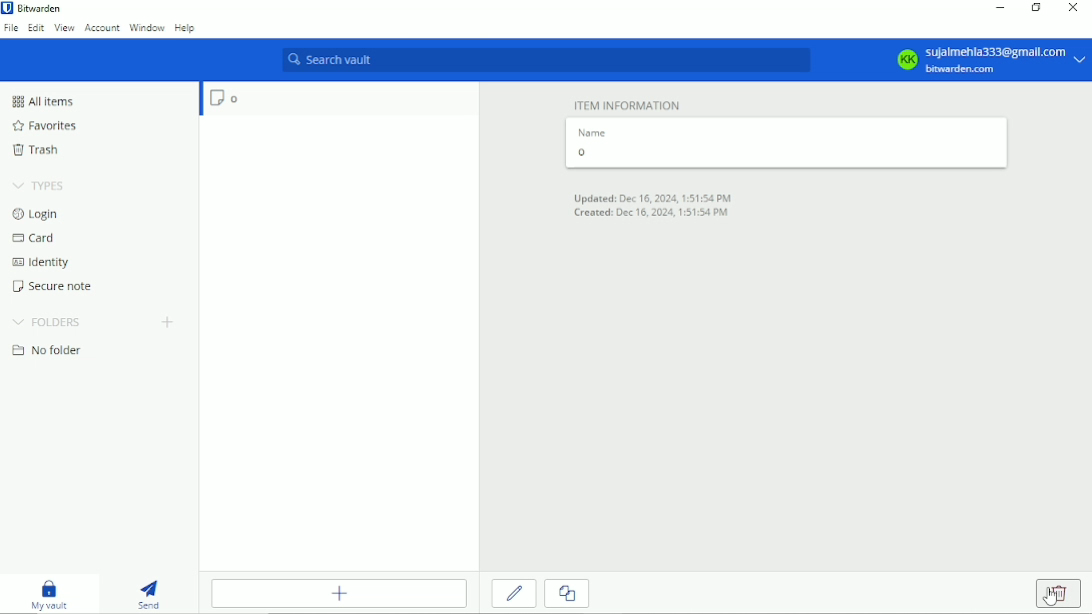 The width and height of the screenshot is (1092, 614). Describe the element at coordinates (36, 239) in the screenshot. I see `Card` at that location.